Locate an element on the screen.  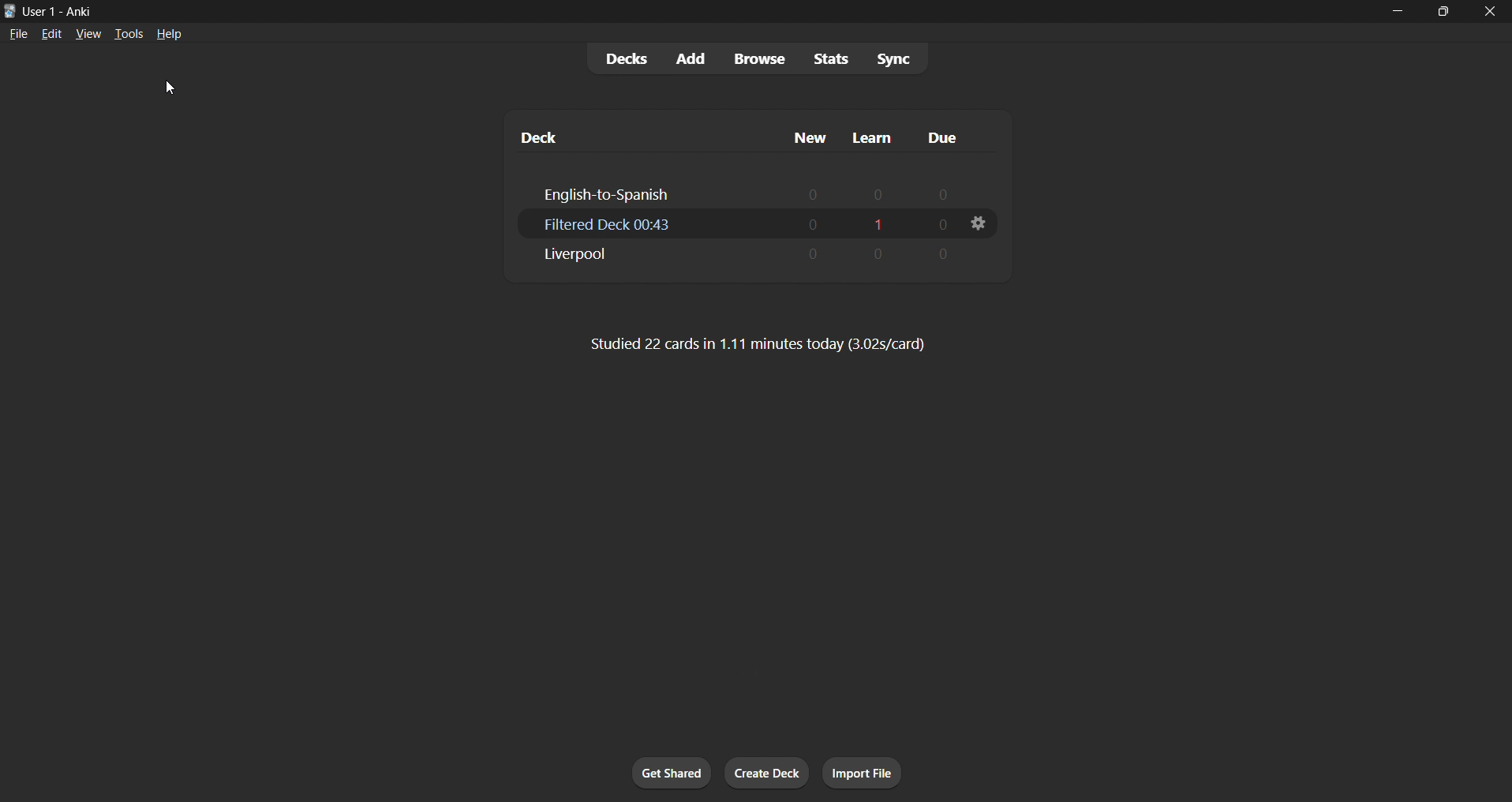
0 is located at coordinates (943, 251).